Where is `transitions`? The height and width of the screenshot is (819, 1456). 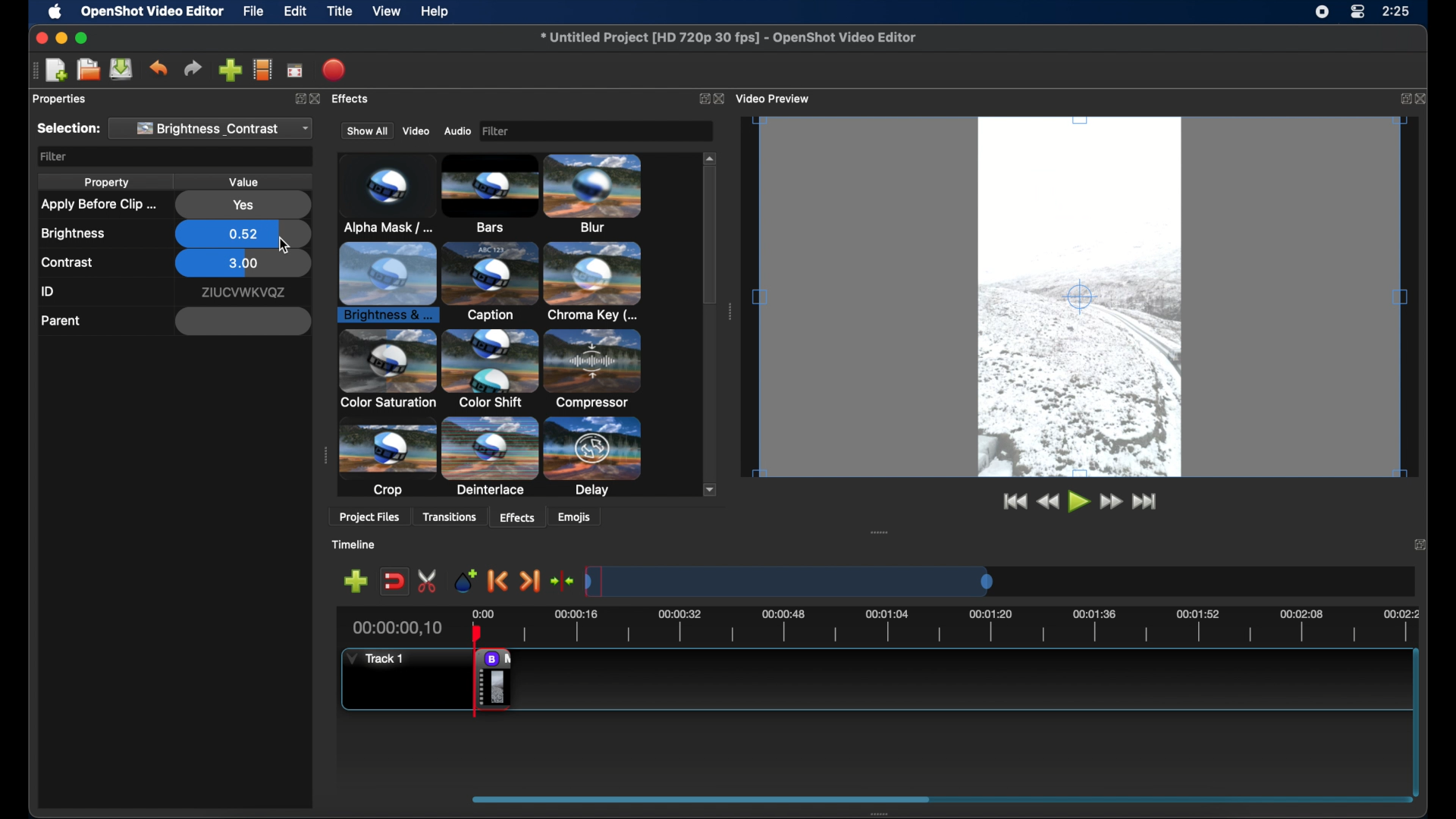 transitions is located at coordinates (454, 516).